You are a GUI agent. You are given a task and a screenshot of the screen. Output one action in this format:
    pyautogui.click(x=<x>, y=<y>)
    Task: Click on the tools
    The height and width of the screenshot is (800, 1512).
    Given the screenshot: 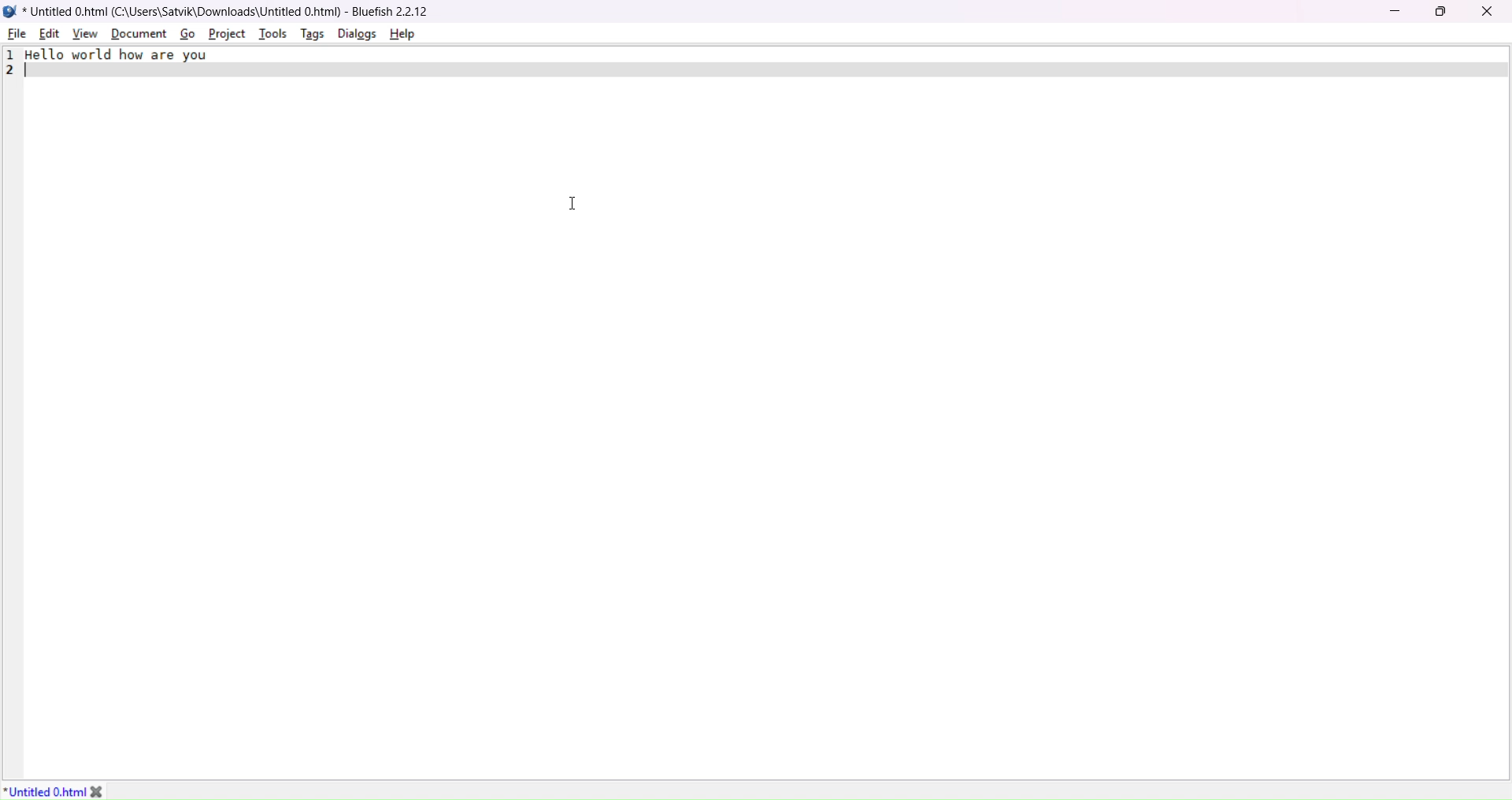 What is the action you would take?
    pyautogui.click(x=271, y=36)
    